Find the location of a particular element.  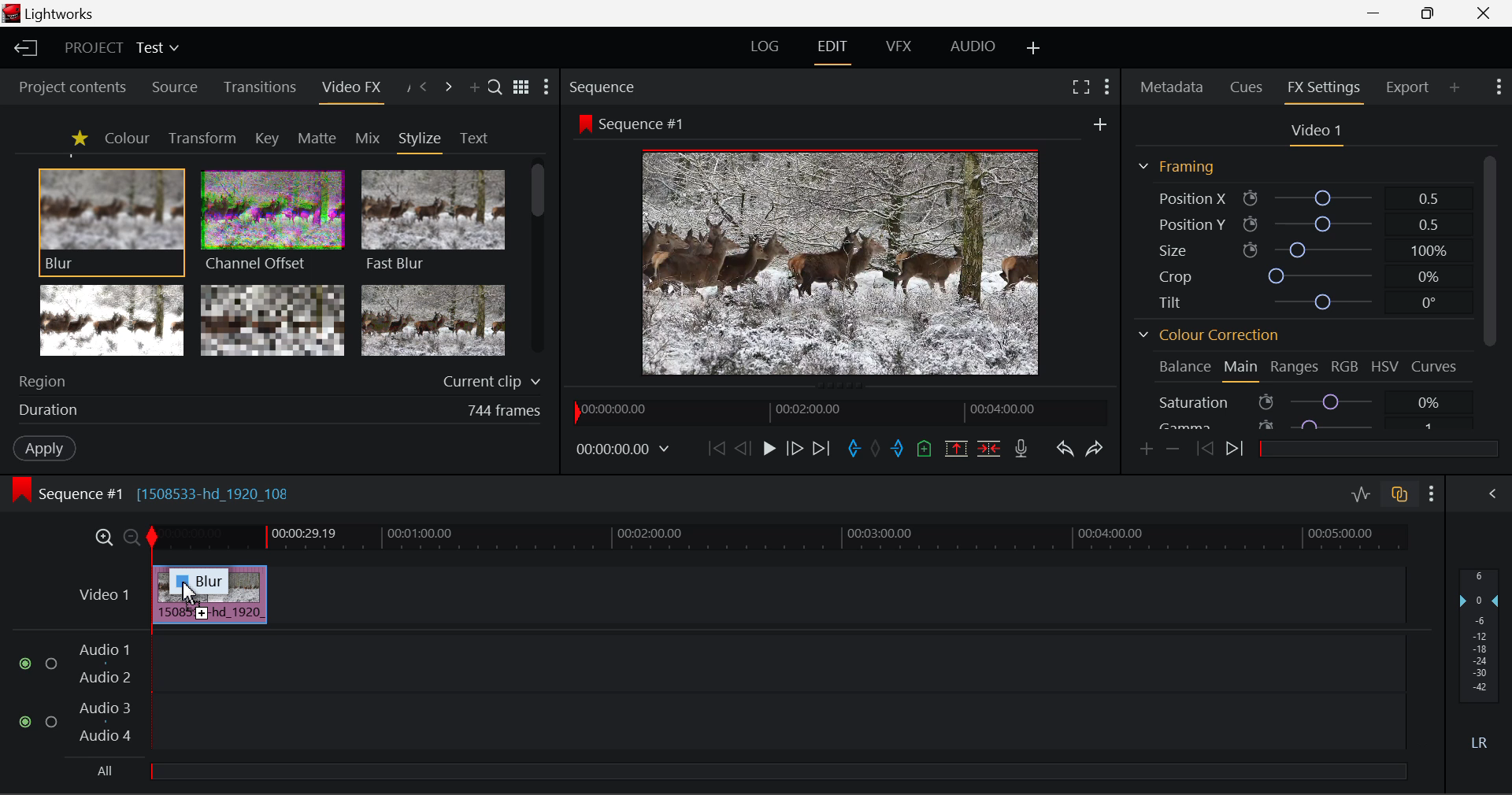

Play is located at coordinates (767, 449).